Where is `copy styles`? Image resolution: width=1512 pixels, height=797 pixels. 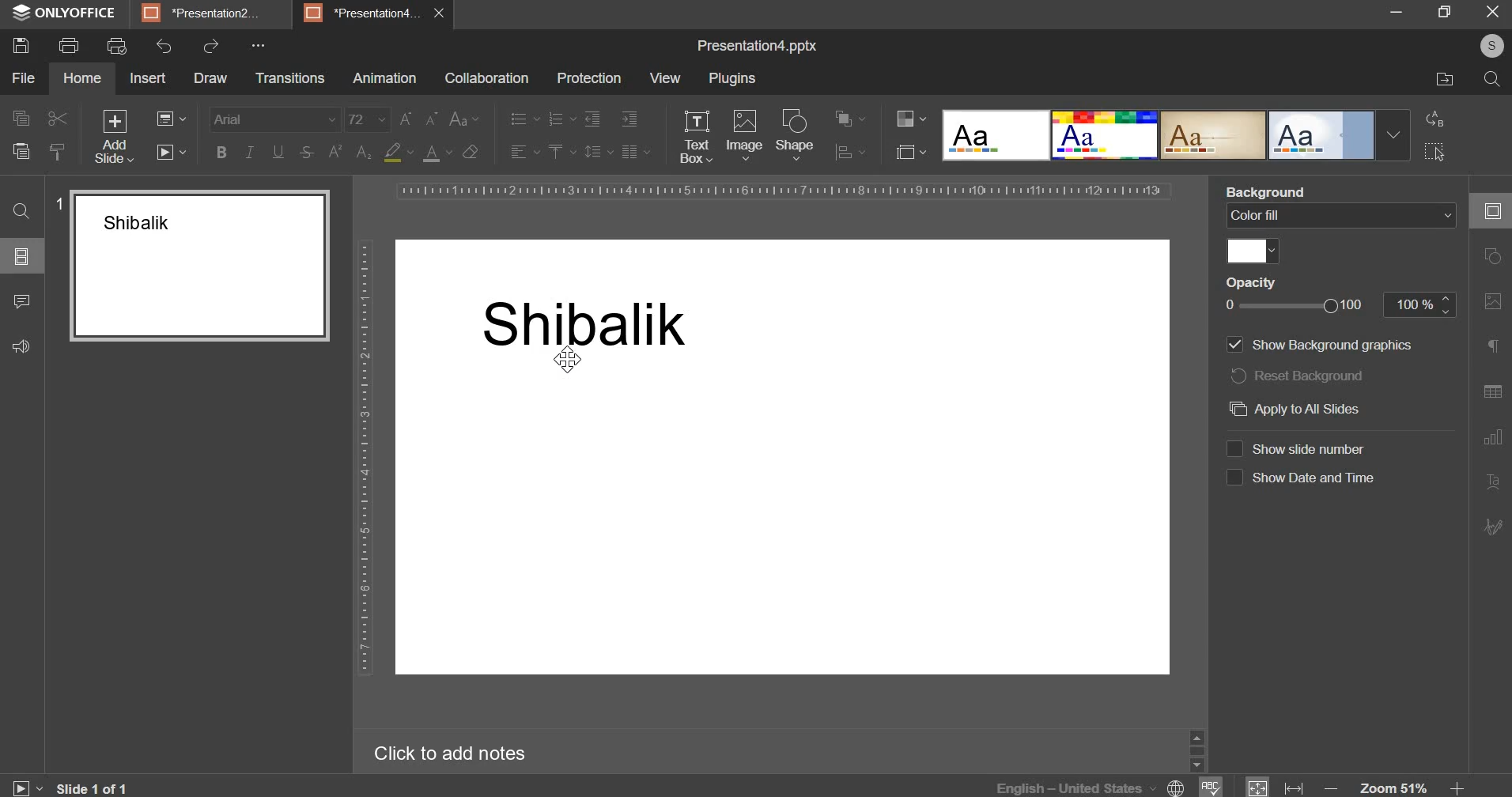 copy styles is located at coordinates (58, 152).